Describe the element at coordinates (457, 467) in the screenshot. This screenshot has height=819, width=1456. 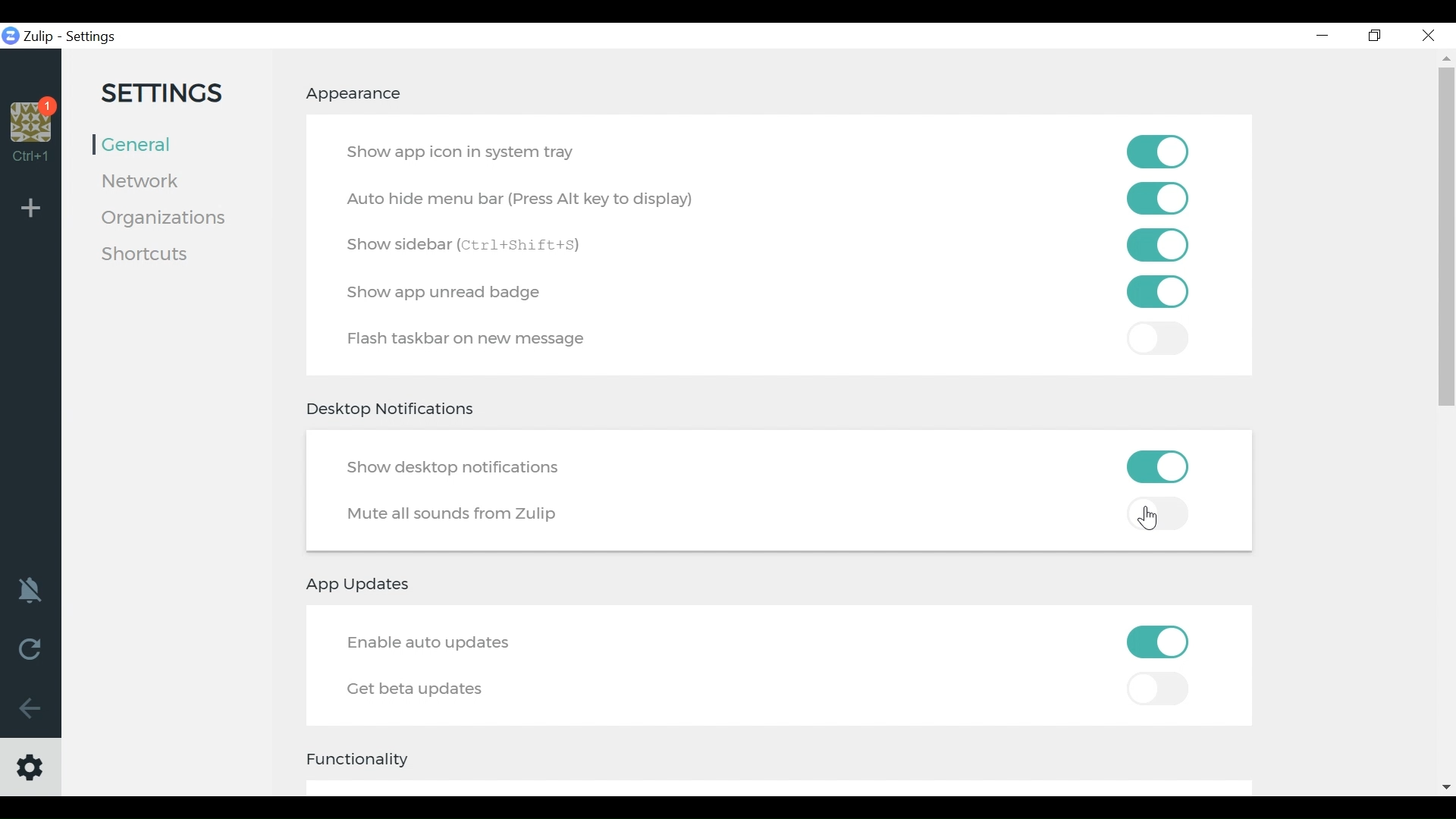
I see `Show desktop notifications` at that location.